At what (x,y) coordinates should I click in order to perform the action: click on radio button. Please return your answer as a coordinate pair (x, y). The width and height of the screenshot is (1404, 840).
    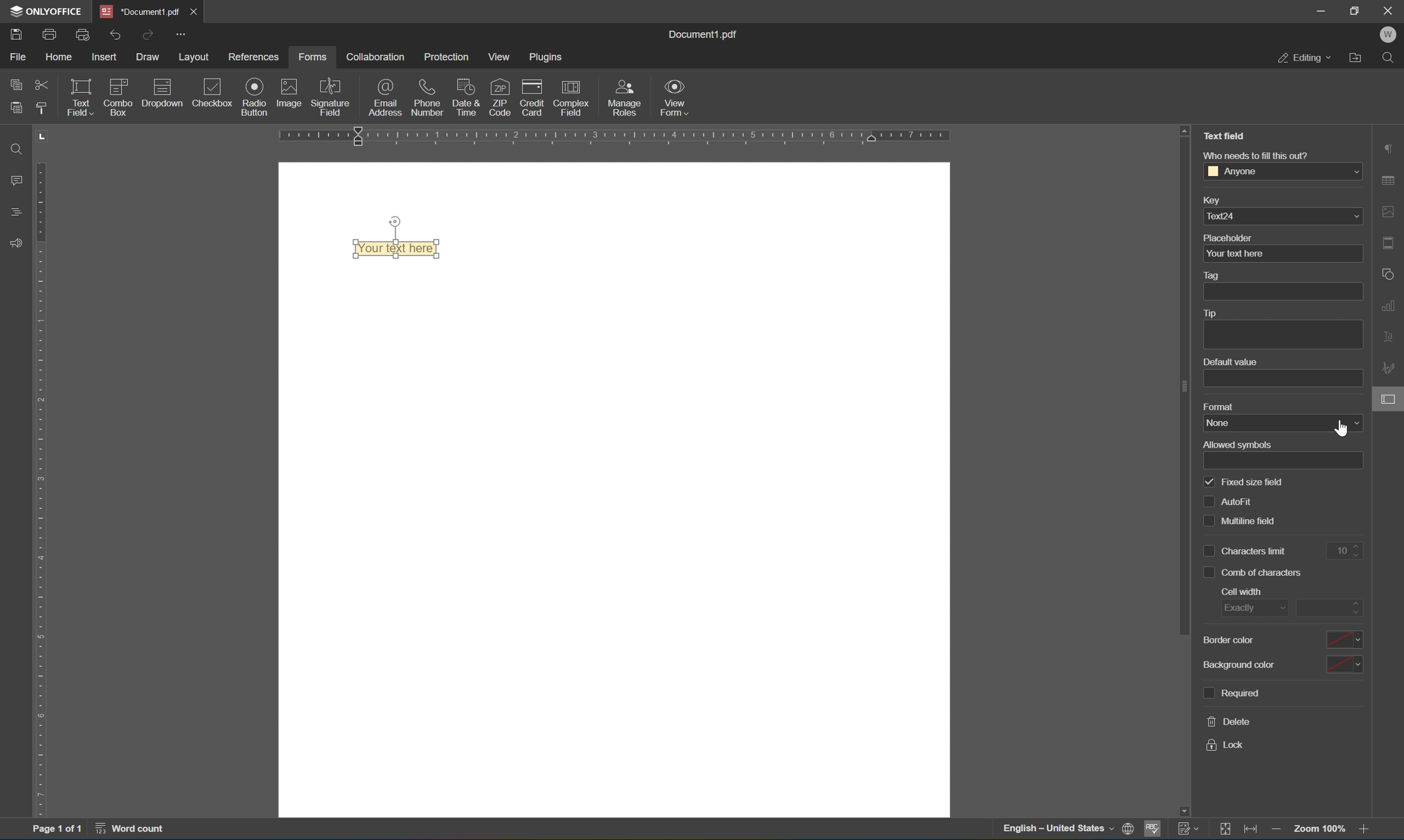
    Looking at the image, I should click on (256, 96).